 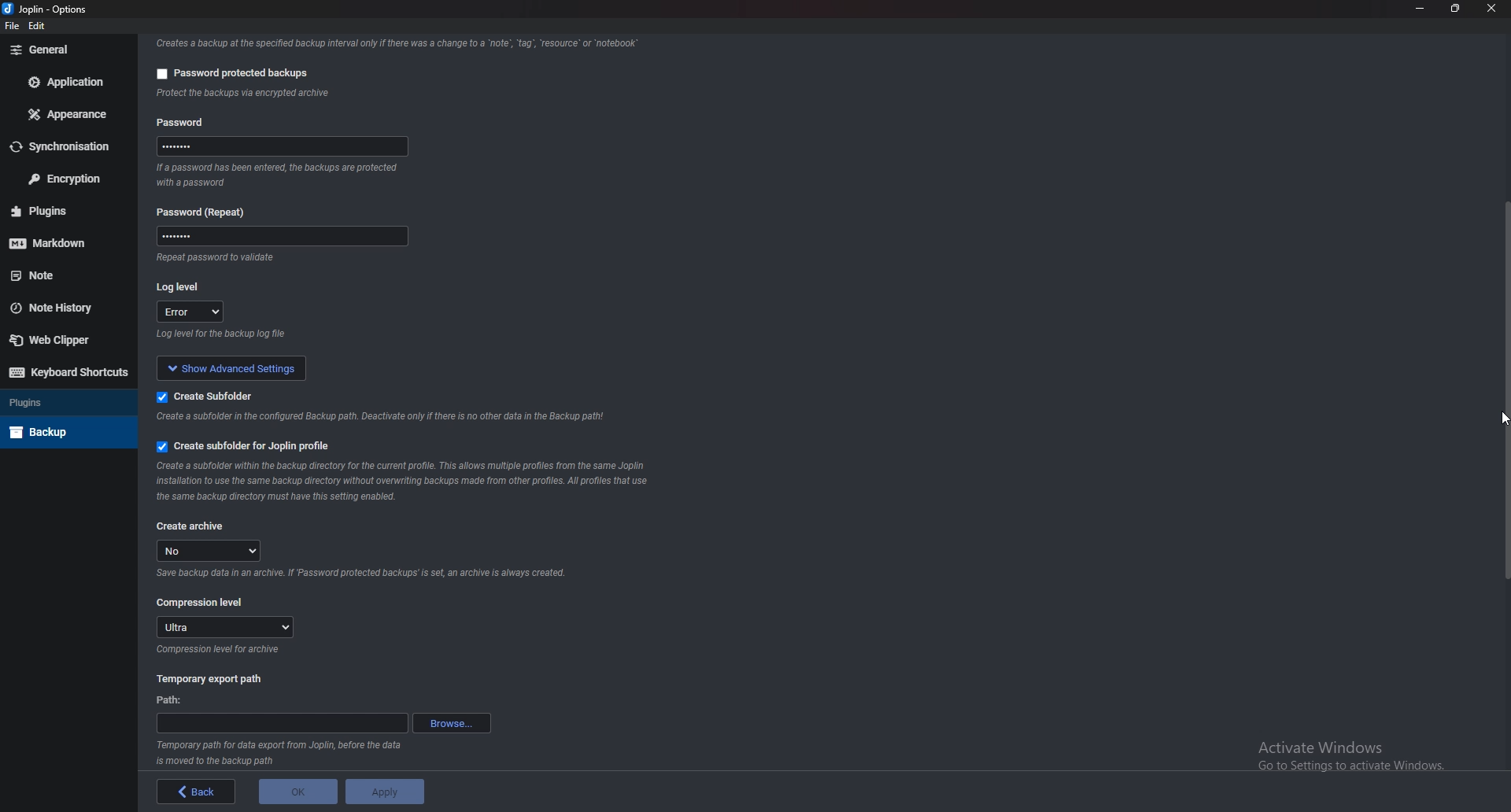 I want to click on edit, so click(x=38, y=27).